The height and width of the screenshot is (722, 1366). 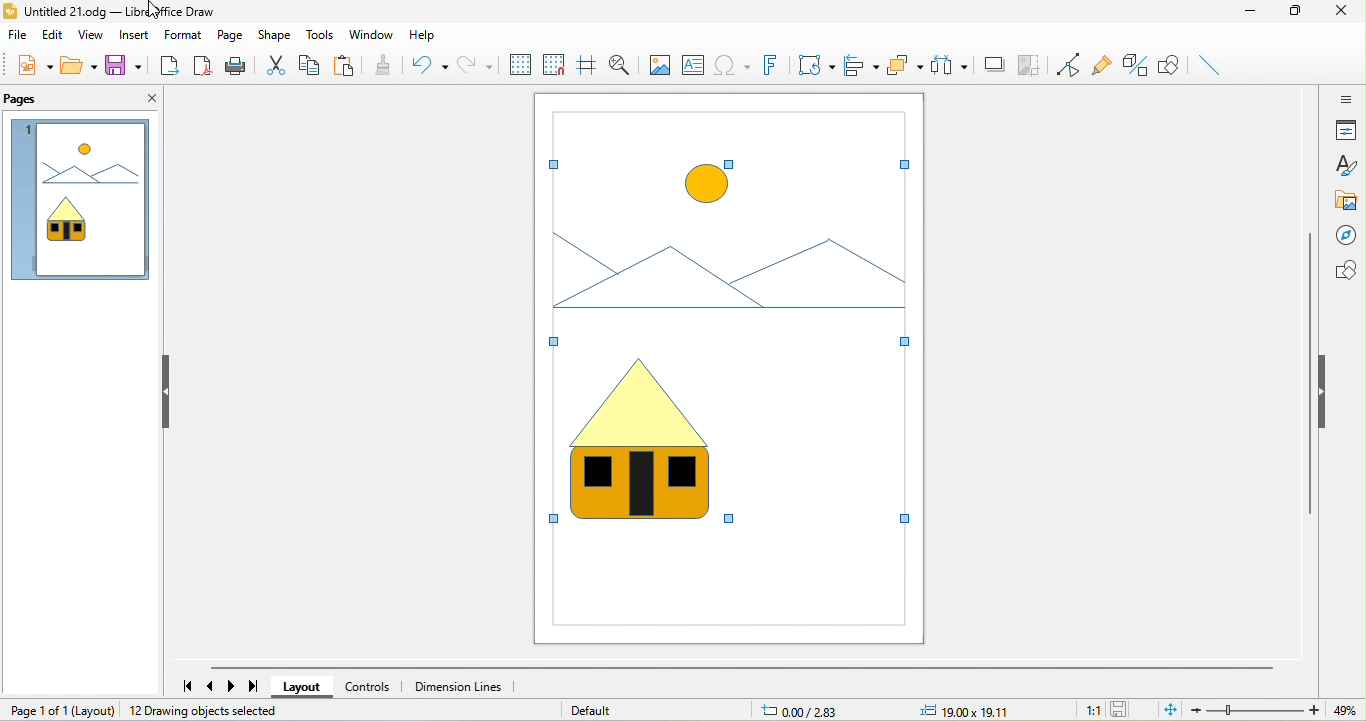 I want to click on fit page , so click(x=1170, y=710).